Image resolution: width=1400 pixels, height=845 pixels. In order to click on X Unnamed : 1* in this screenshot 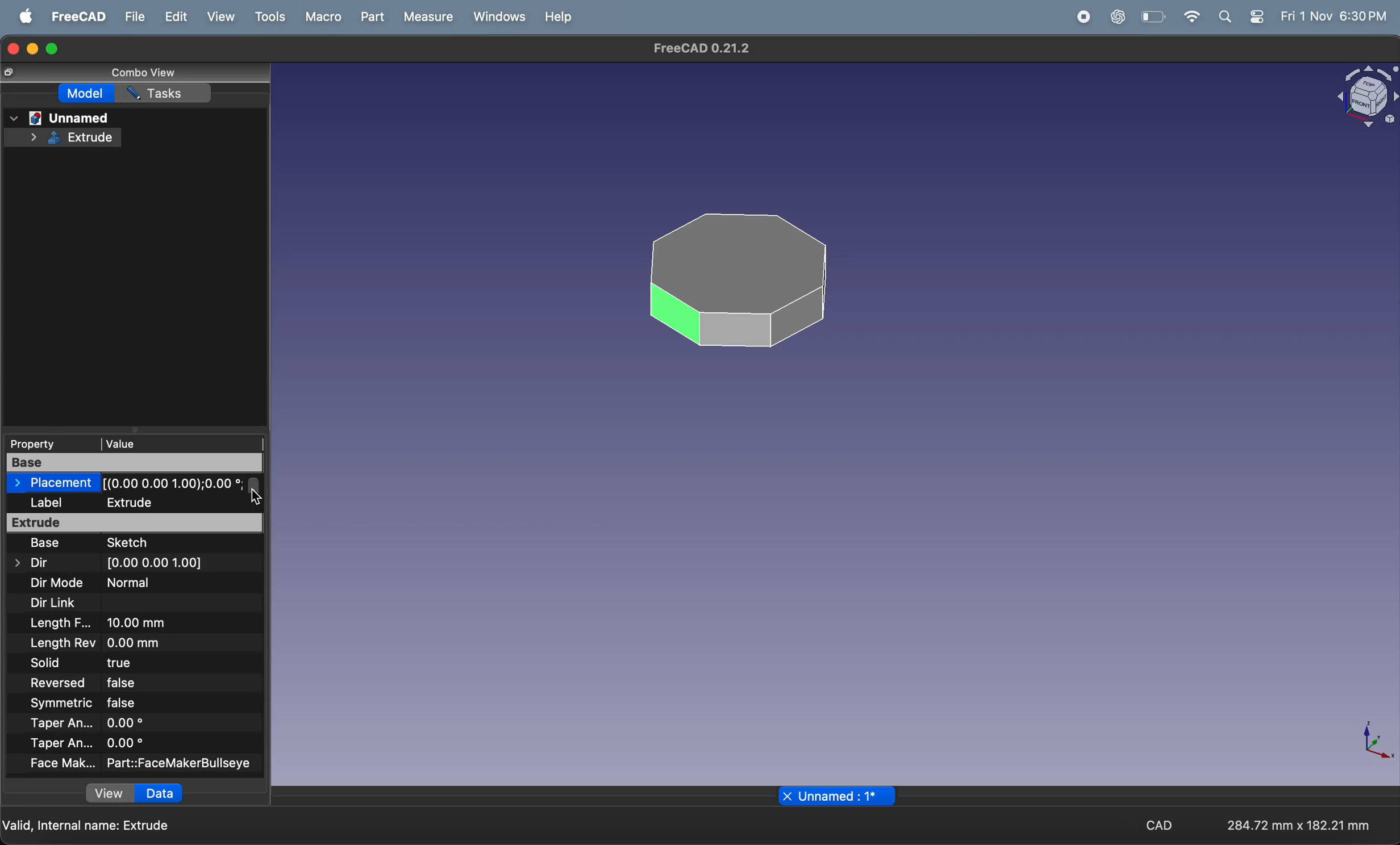, I will do `click(839, 796)`.